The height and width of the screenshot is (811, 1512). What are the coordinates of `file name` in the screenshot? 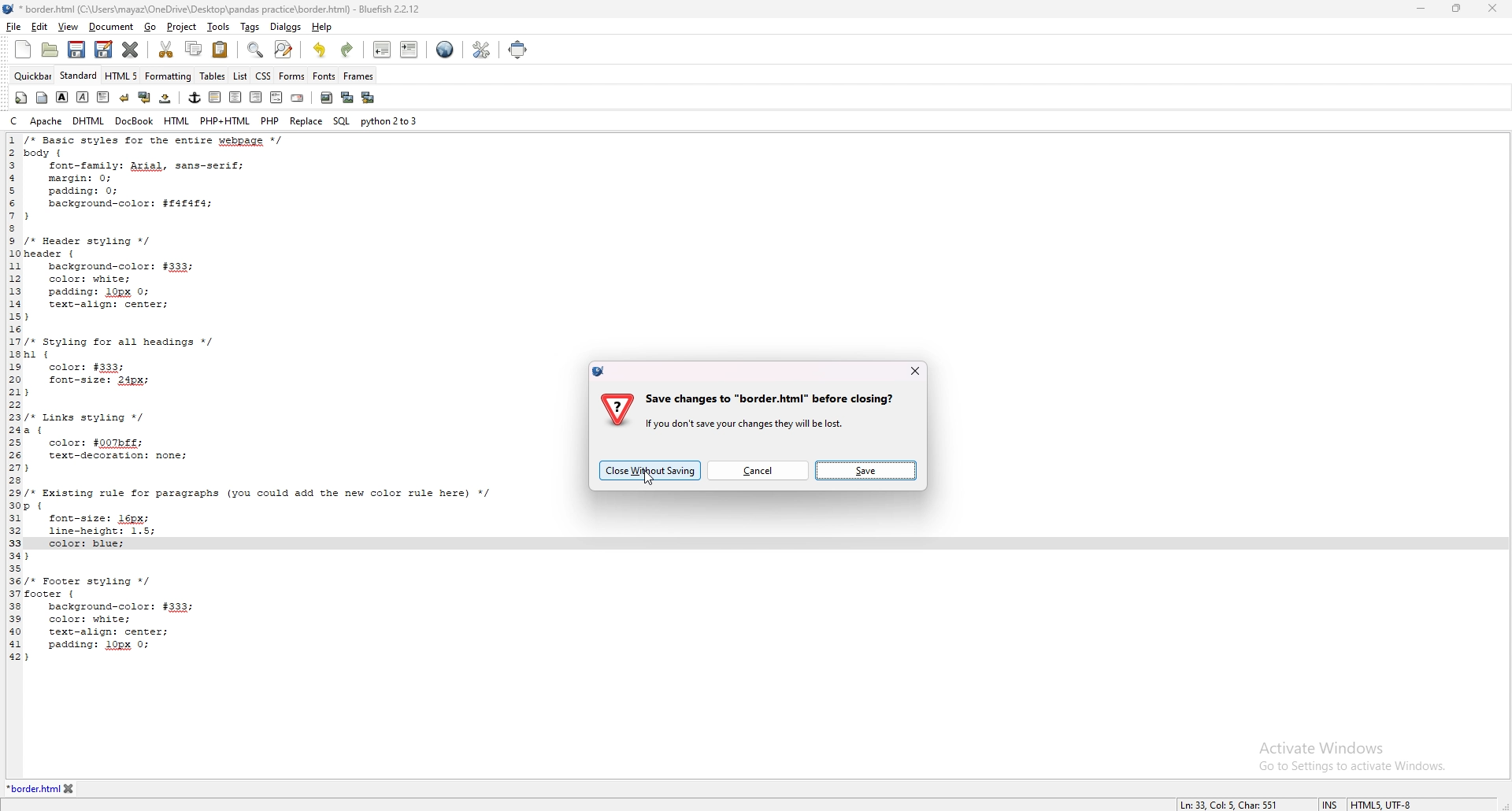 It's located at (212, 9).